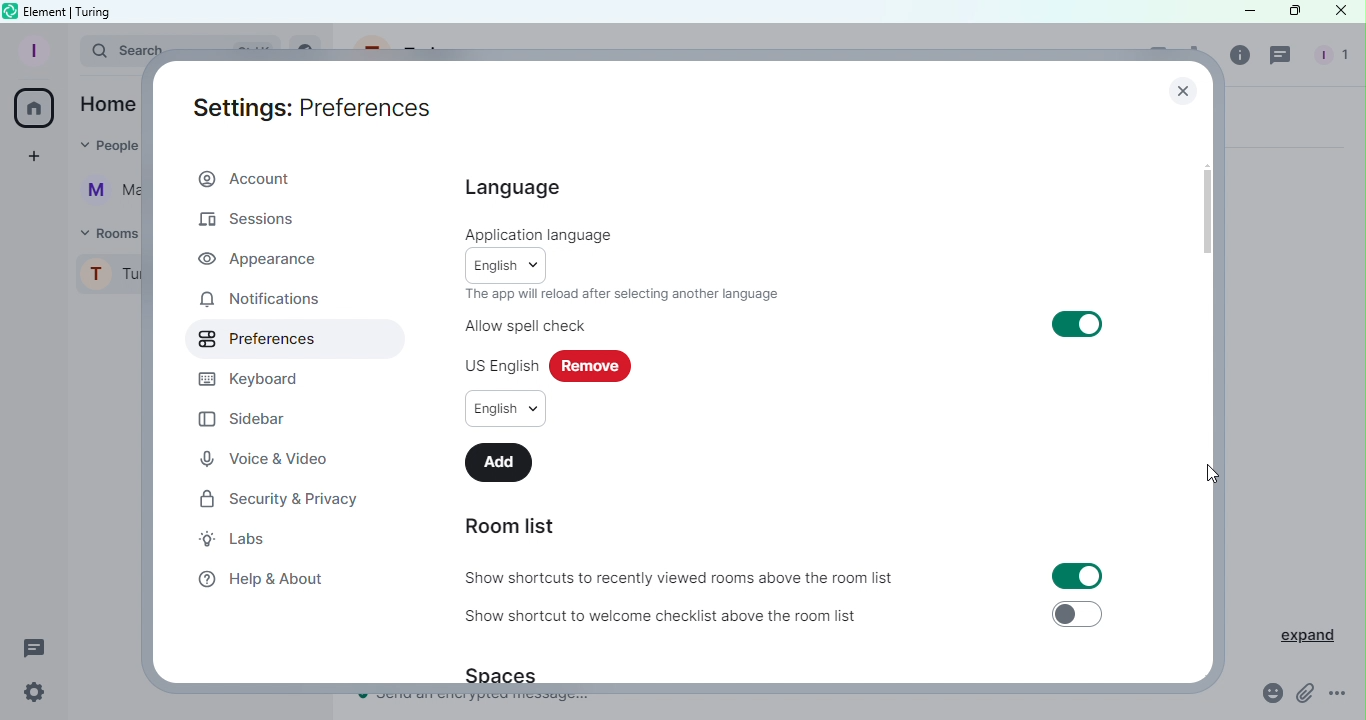  I want to click on Room info, so click(1241, 60).